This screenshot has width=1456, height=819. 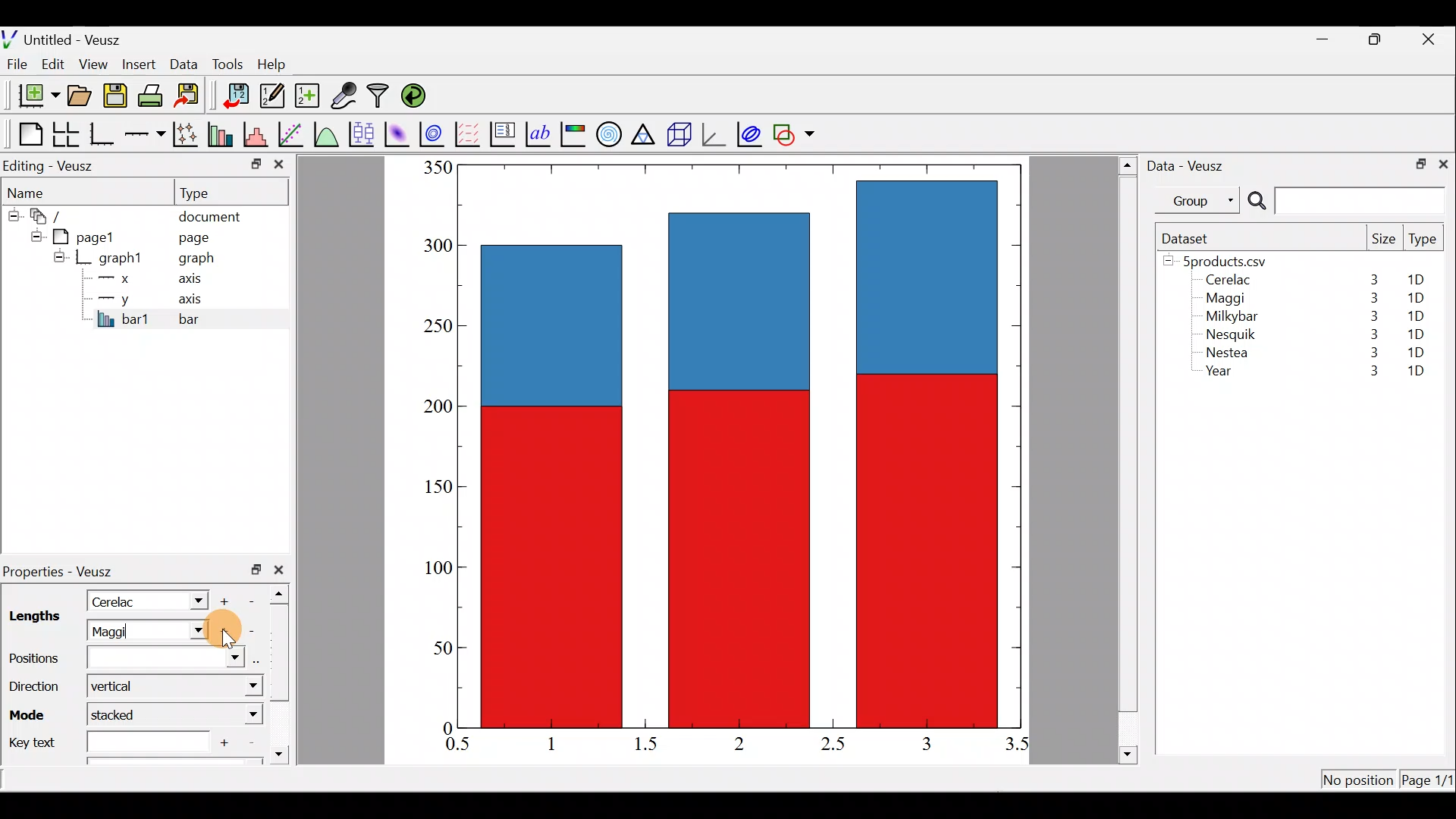 What do you see at coordinates (240, 715) in the screenshot?
I see `mode dropdown` at bounding box center [240, 715].